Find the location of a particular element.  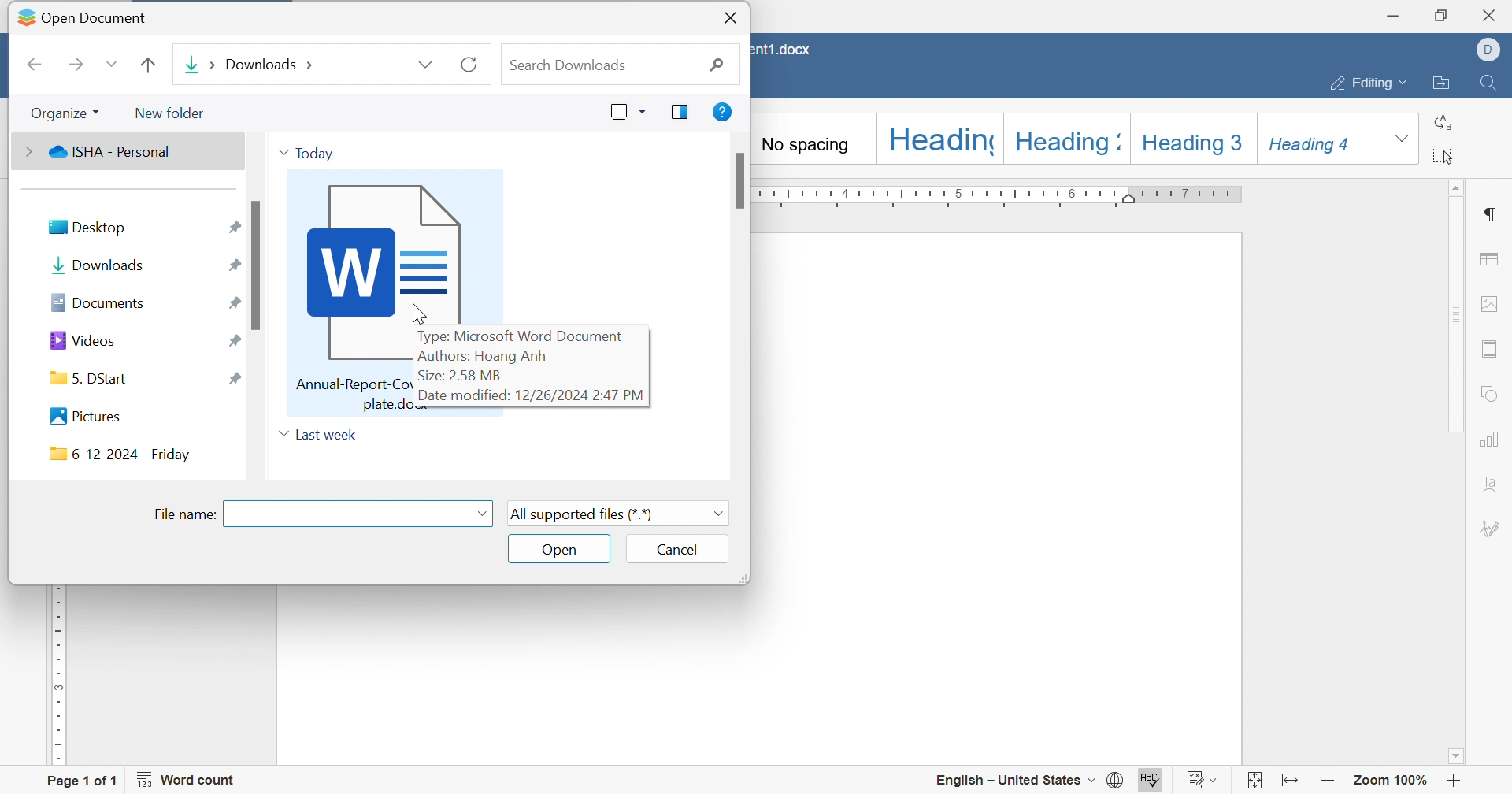

editing is located at coordinates (1369, 86).